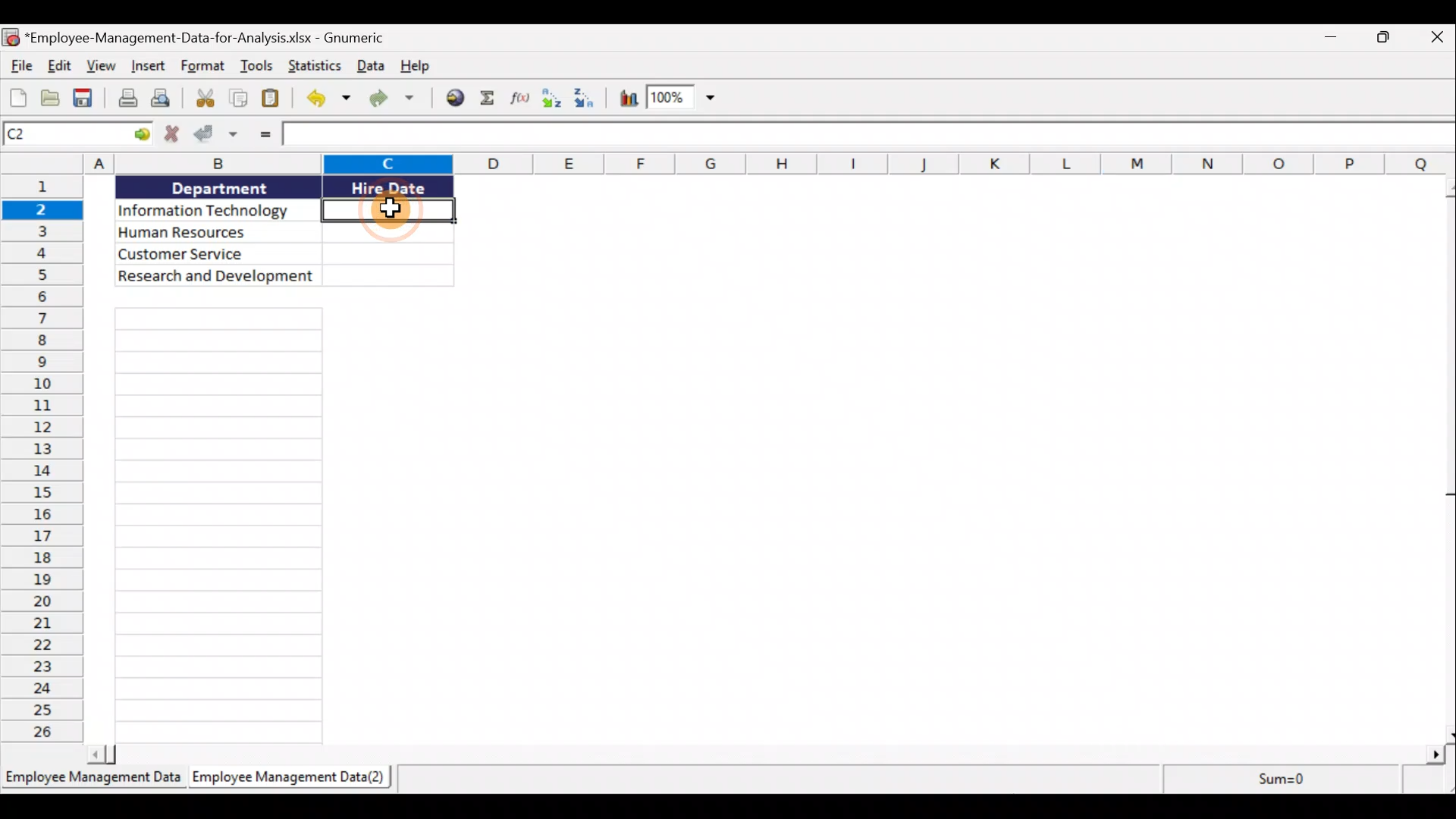 The width and height of the screenshot is (1456, 819). Describe the element at coordinates (1446, 459) in the screenshot. I see `Scroll bar` at that location.